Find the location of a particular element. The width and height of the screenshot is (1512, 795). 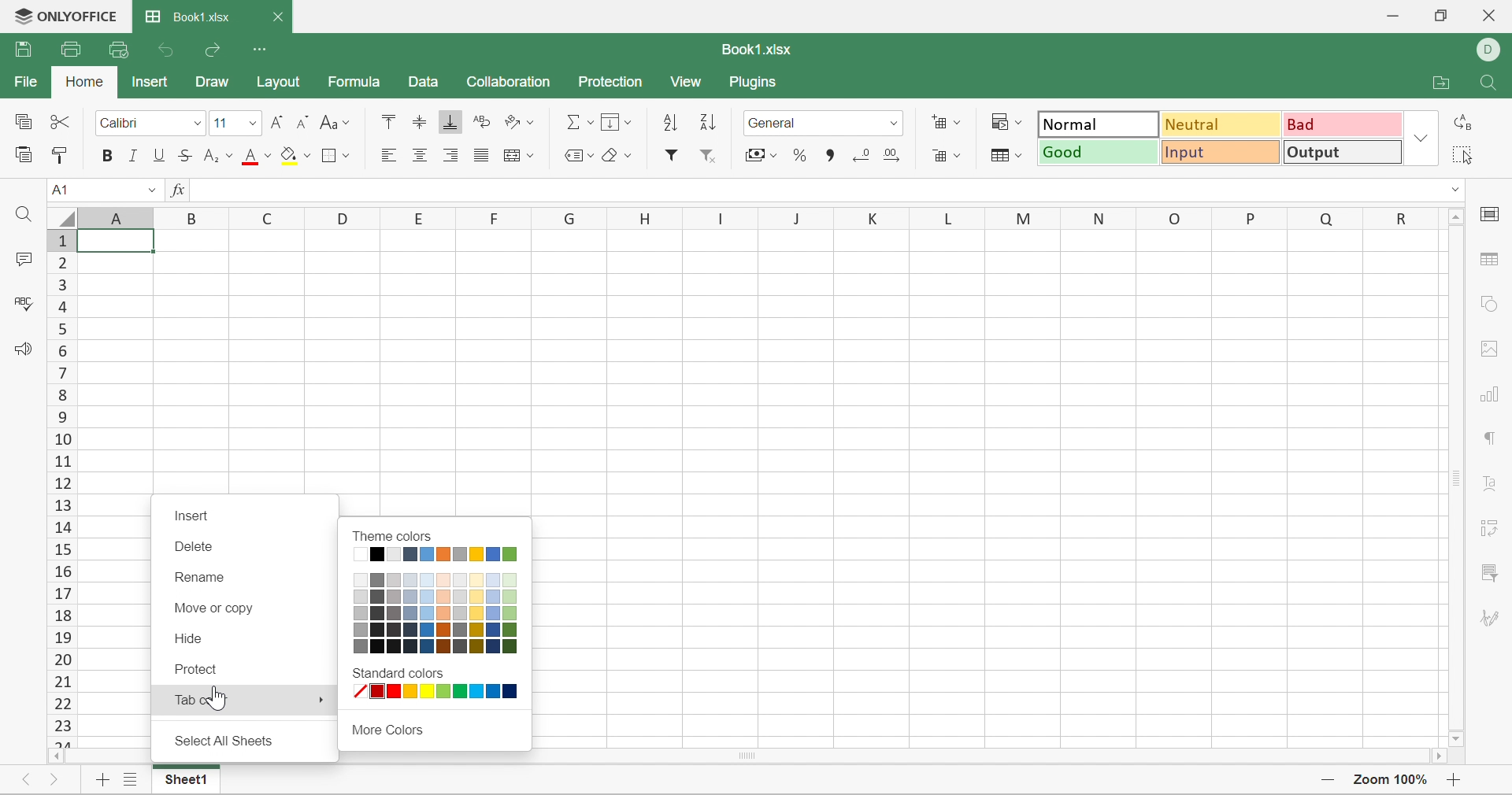

N is located at coordinates (1101, 217).